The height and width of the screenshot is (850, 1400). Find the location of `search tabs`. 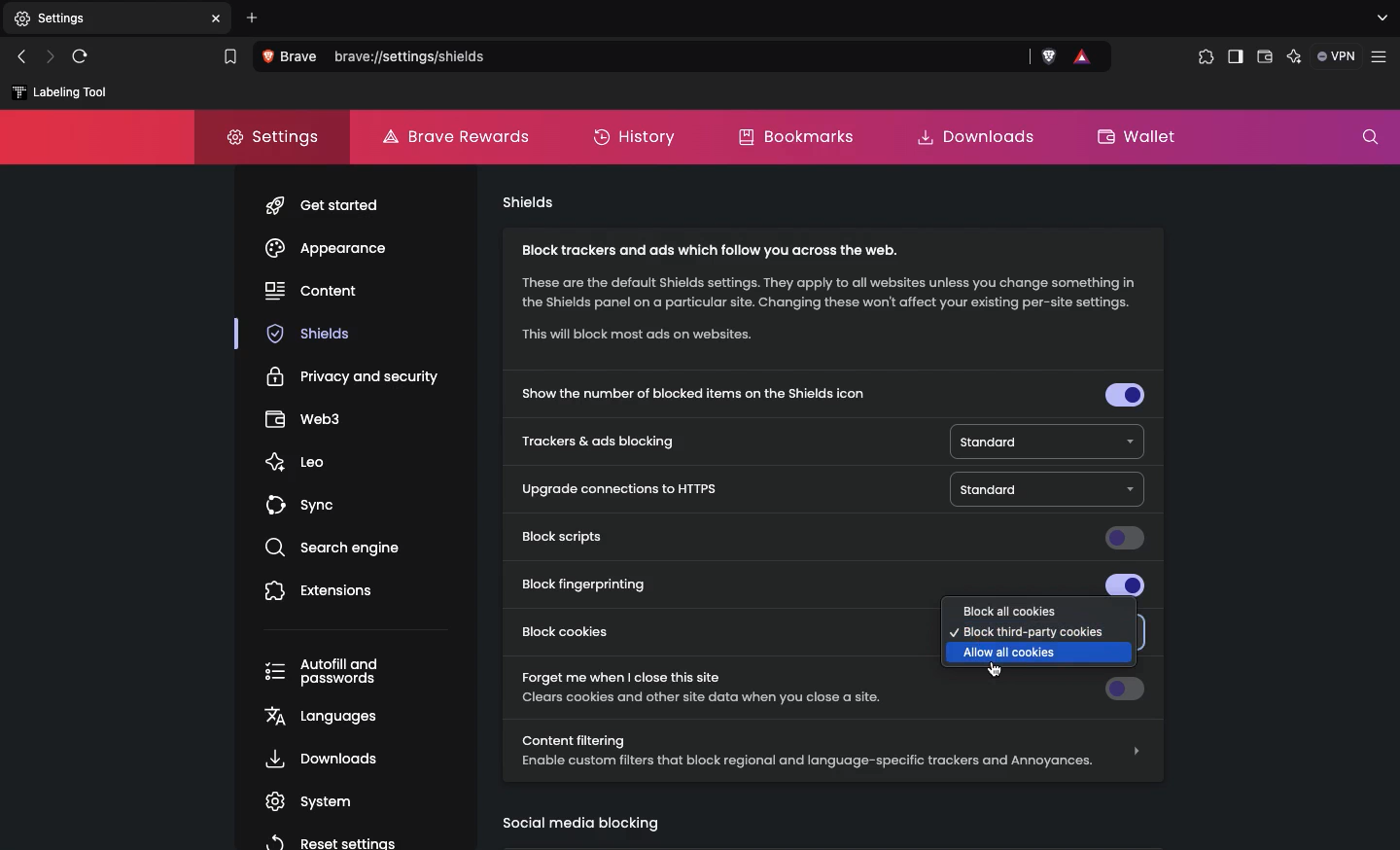

search tabs is located at coordinates (1379, 19).